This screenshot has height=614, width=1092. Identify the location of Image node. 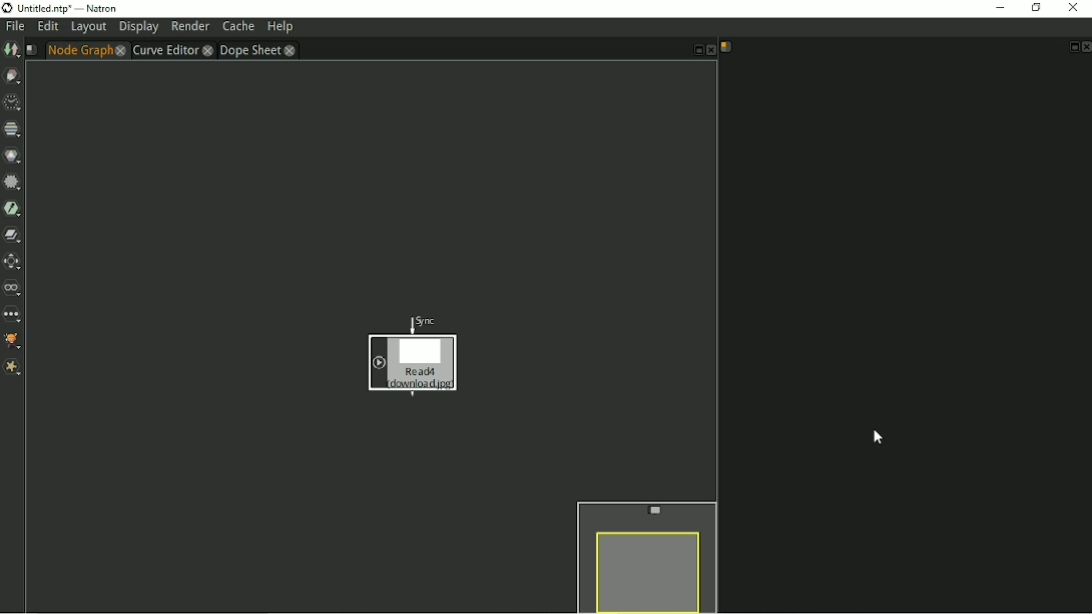
(418, 357).